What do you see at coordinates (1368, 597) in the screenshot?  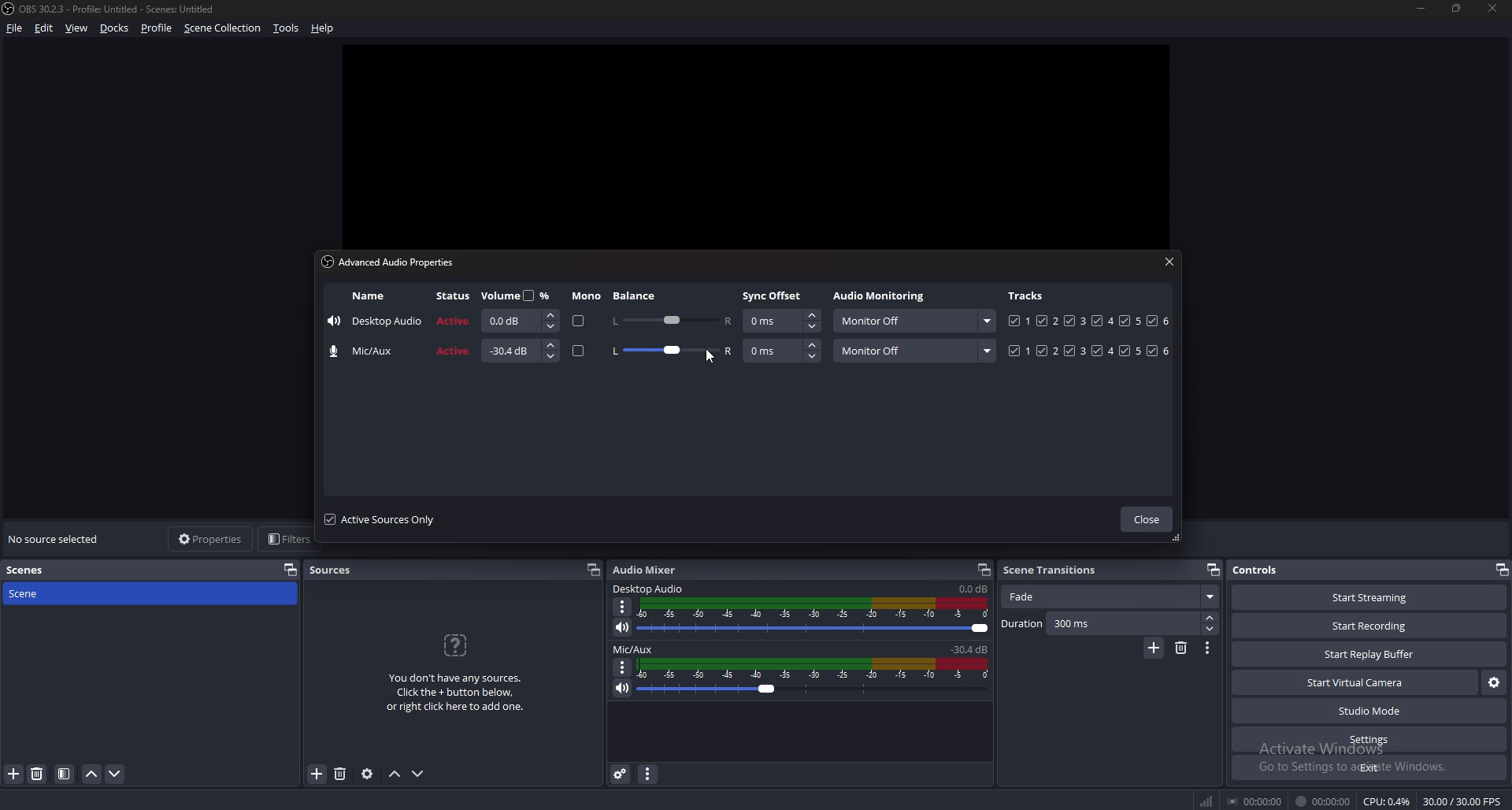 I see `start streaming` at bounding box center [1368, 597].